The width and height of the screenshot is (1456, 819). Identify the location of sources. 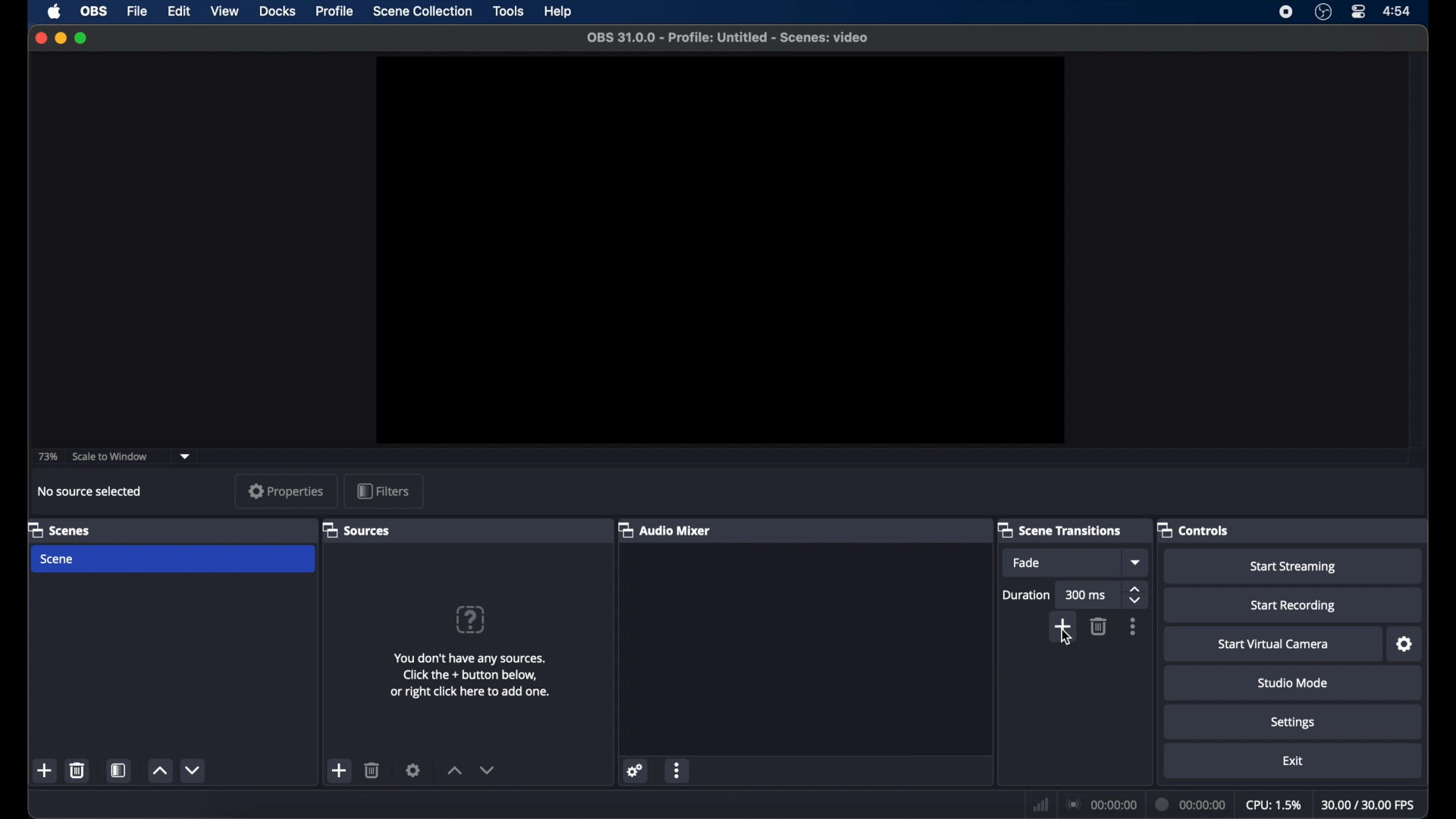
(356, 529).